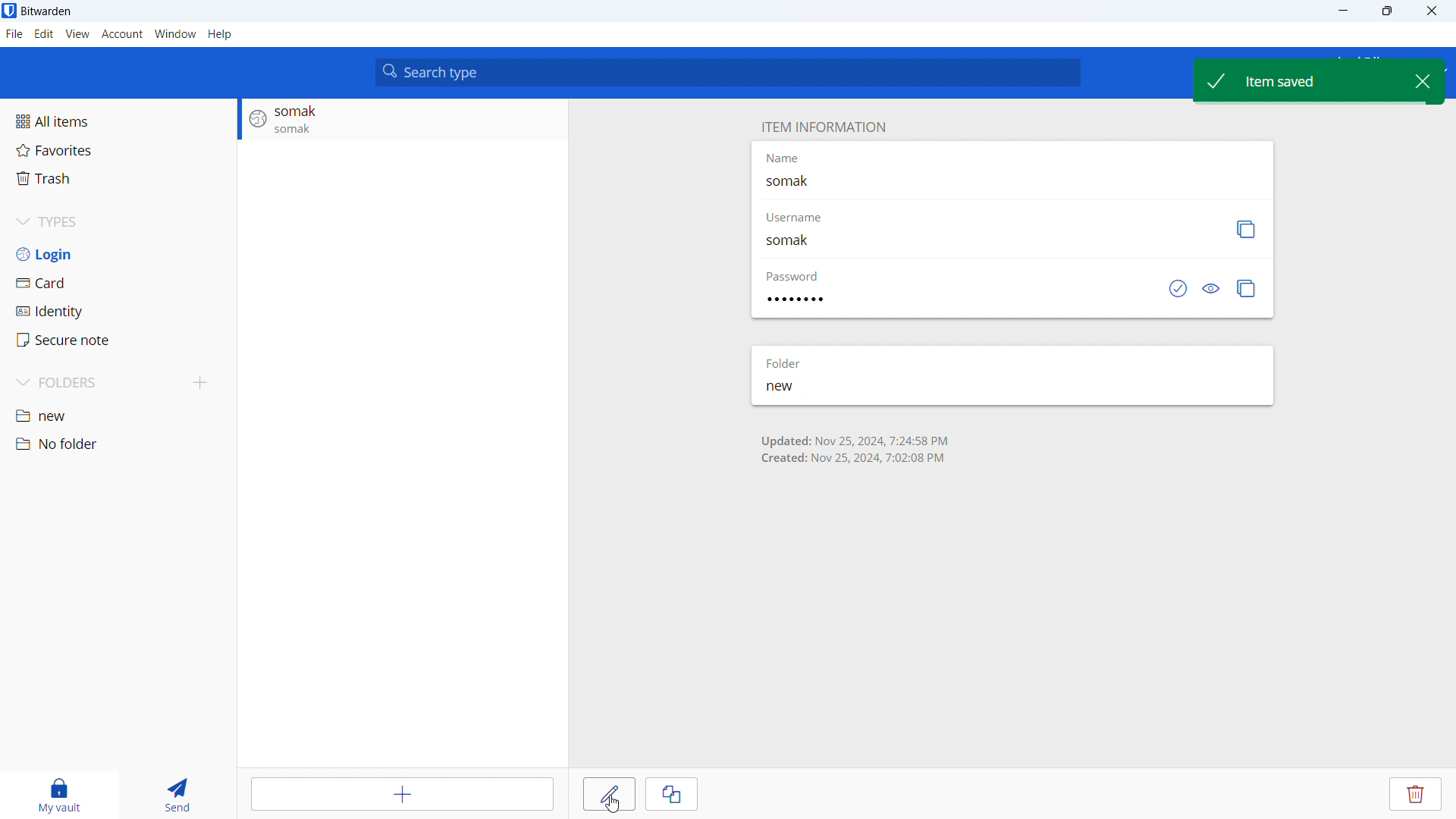  What do you see at coordinates (118, 178) in the screenshot?
I see `trash` at bounding box center [118, 178].